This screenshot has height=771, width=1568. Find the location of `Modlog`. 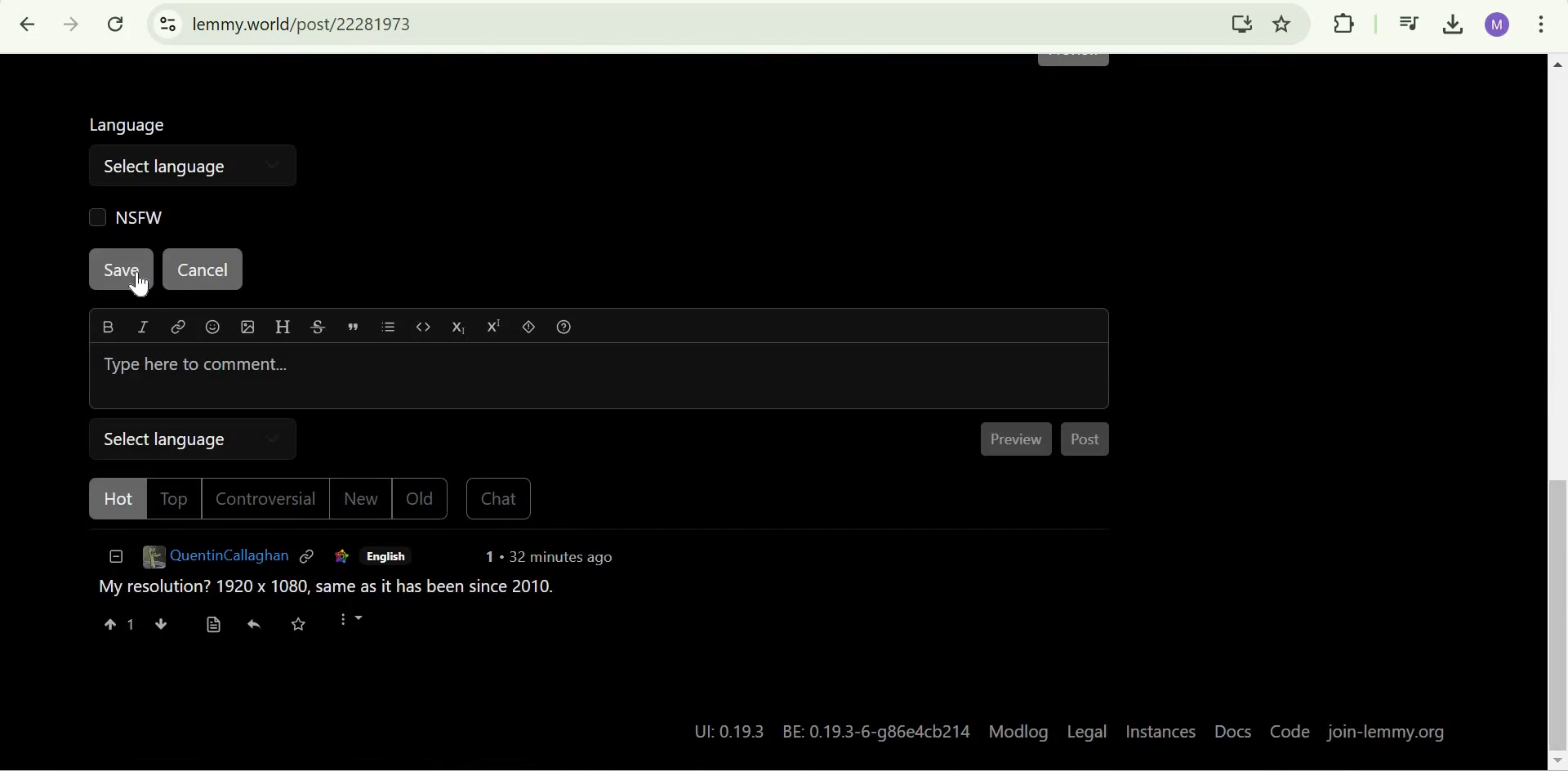

Modlog is located at coordinates (1019, 730).